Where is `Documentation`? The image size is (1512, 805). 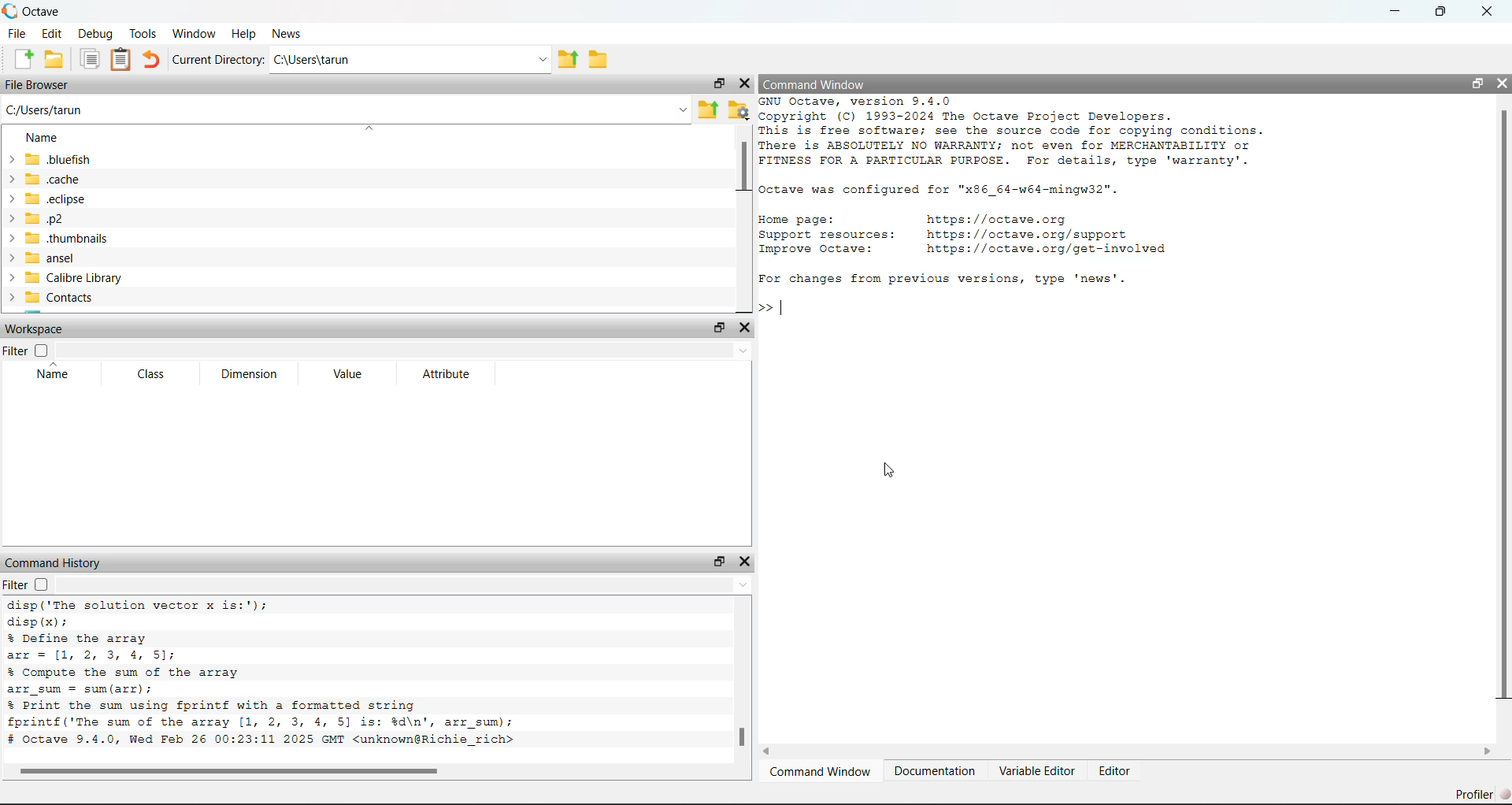
Documentation is located at coordinates (936, 772).